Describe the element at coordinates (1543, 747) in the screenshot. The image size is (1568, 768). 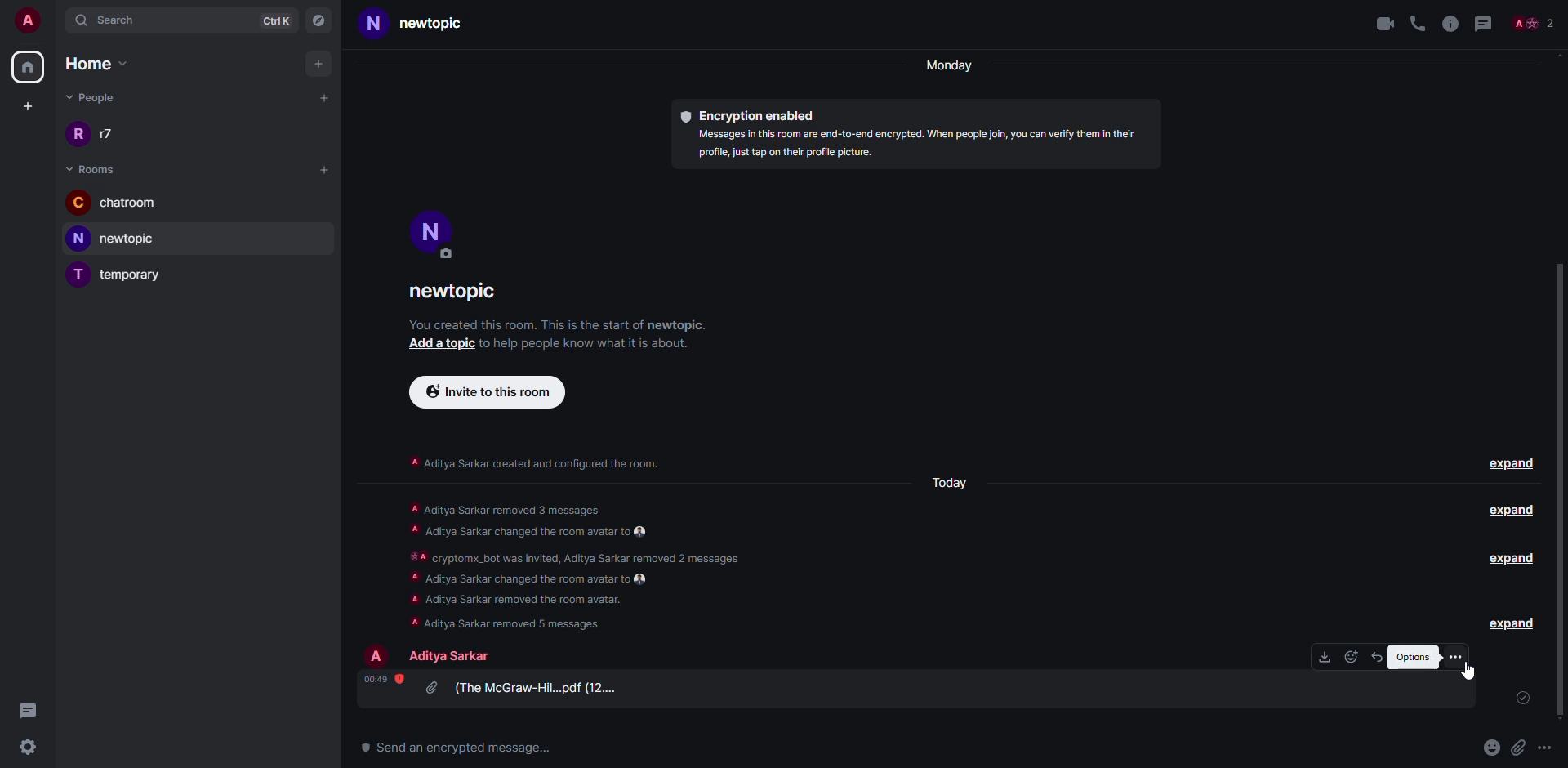
I see `more` at that location.